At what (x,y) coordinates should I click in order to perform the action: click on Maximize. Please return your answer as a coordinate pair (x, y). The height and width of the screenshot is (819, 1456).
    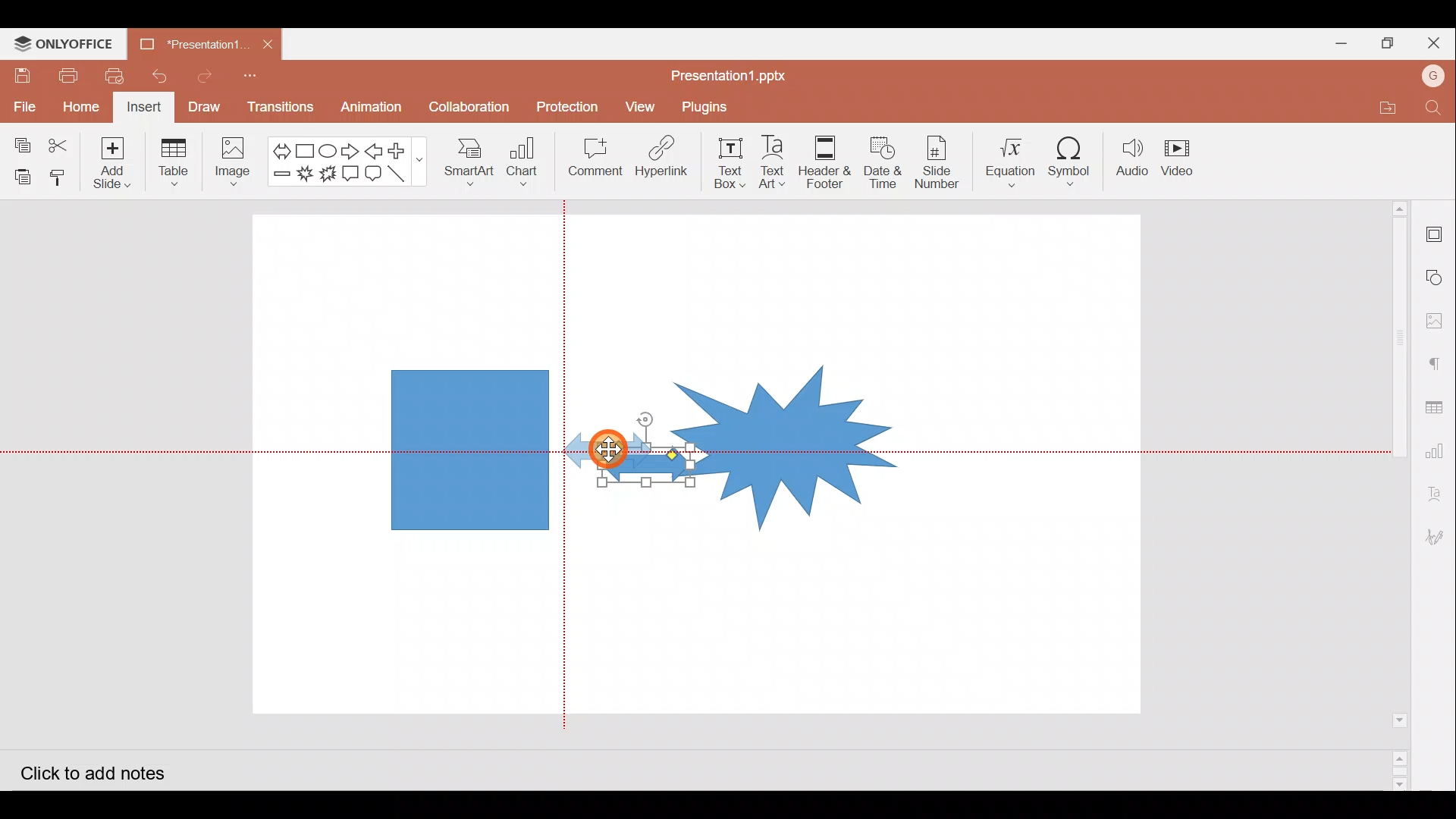
    Looking at the image, I should click on (1384, 41).